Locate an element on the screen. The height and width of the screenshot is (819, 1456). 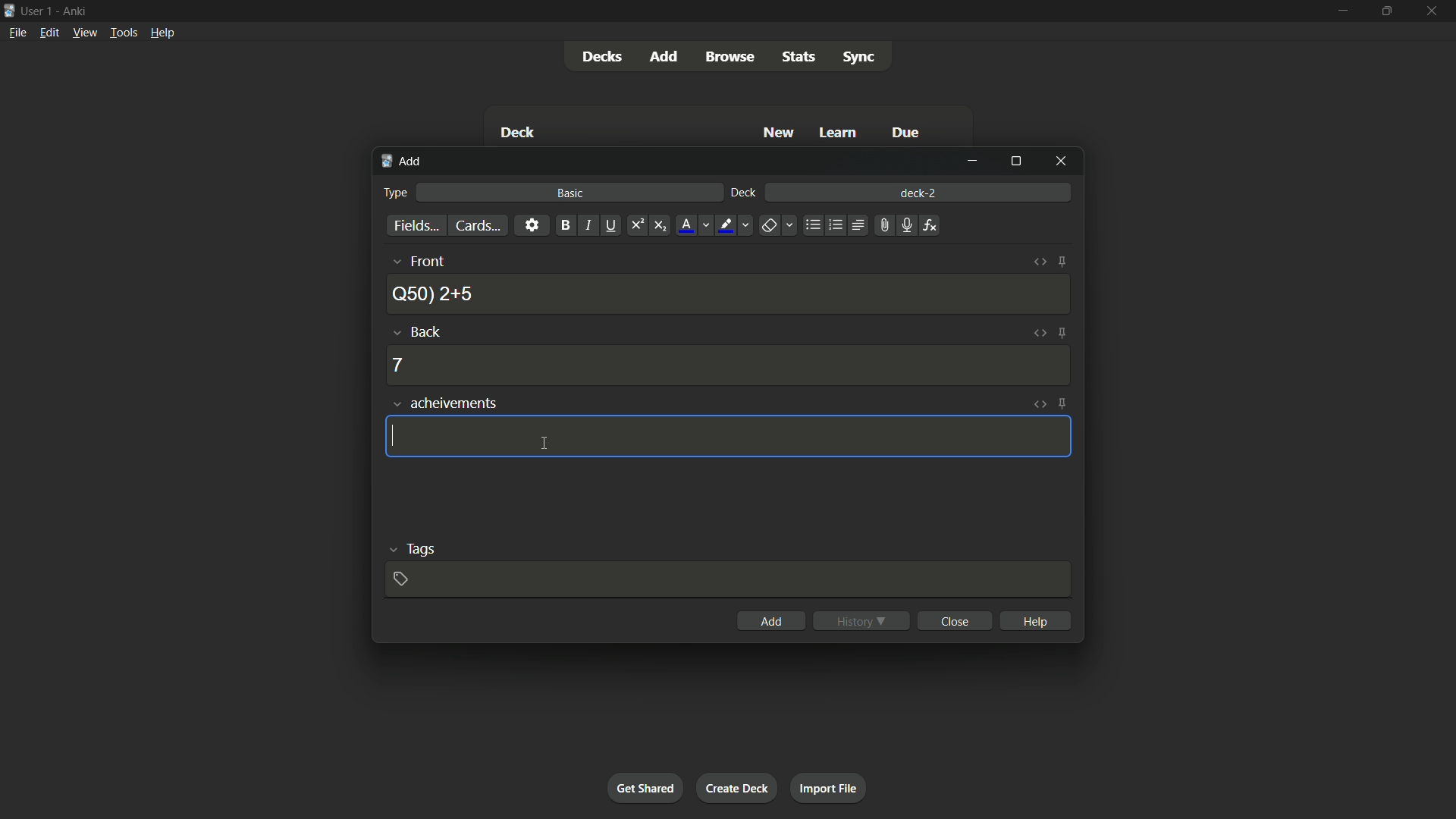
add is located at coordinates (401, 162).